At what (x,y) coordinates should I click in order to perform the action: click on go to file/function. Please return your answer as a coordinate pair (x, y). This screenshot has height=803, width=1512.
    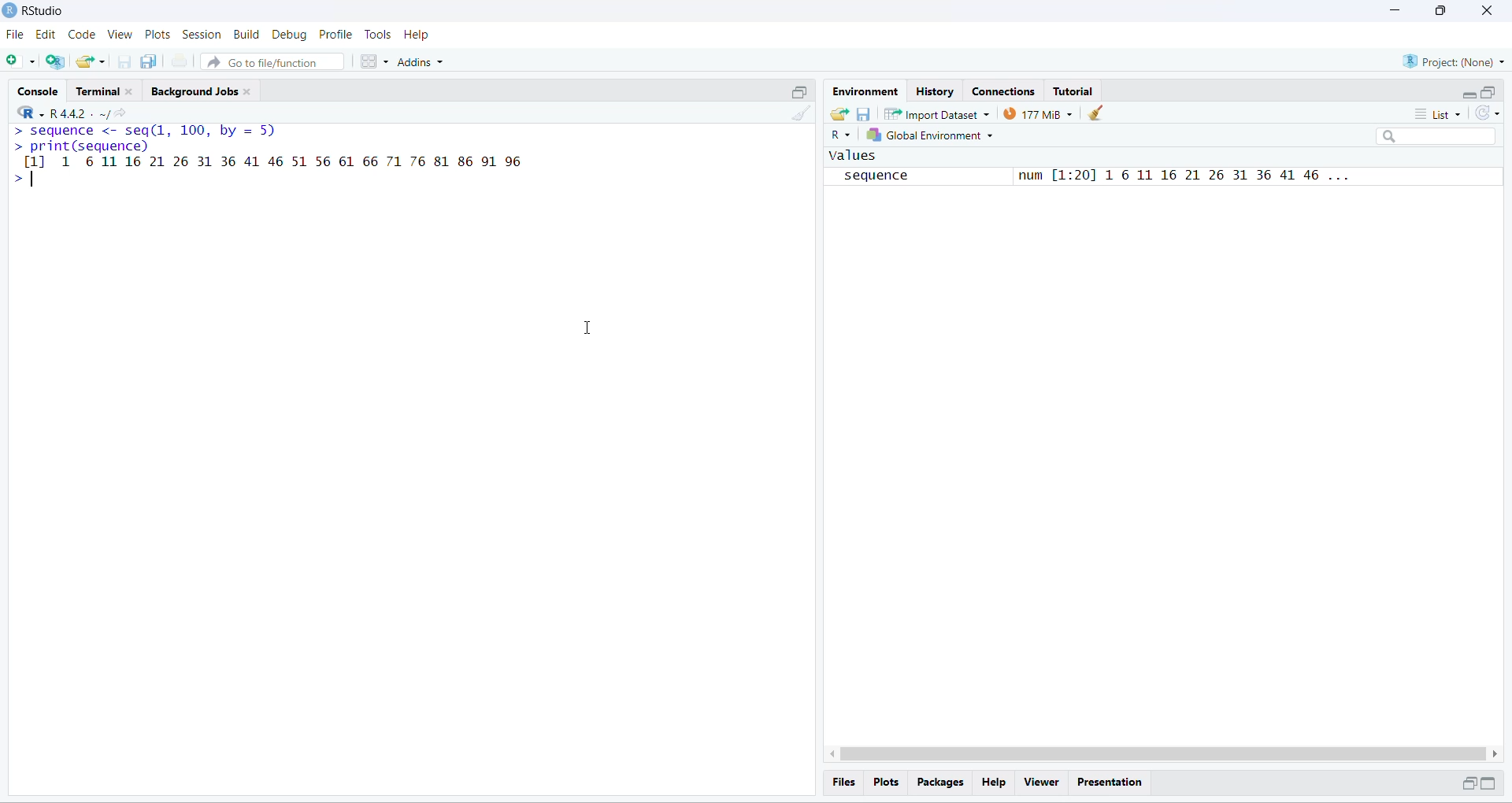
    Looking at the image, I should click on (272, 61).